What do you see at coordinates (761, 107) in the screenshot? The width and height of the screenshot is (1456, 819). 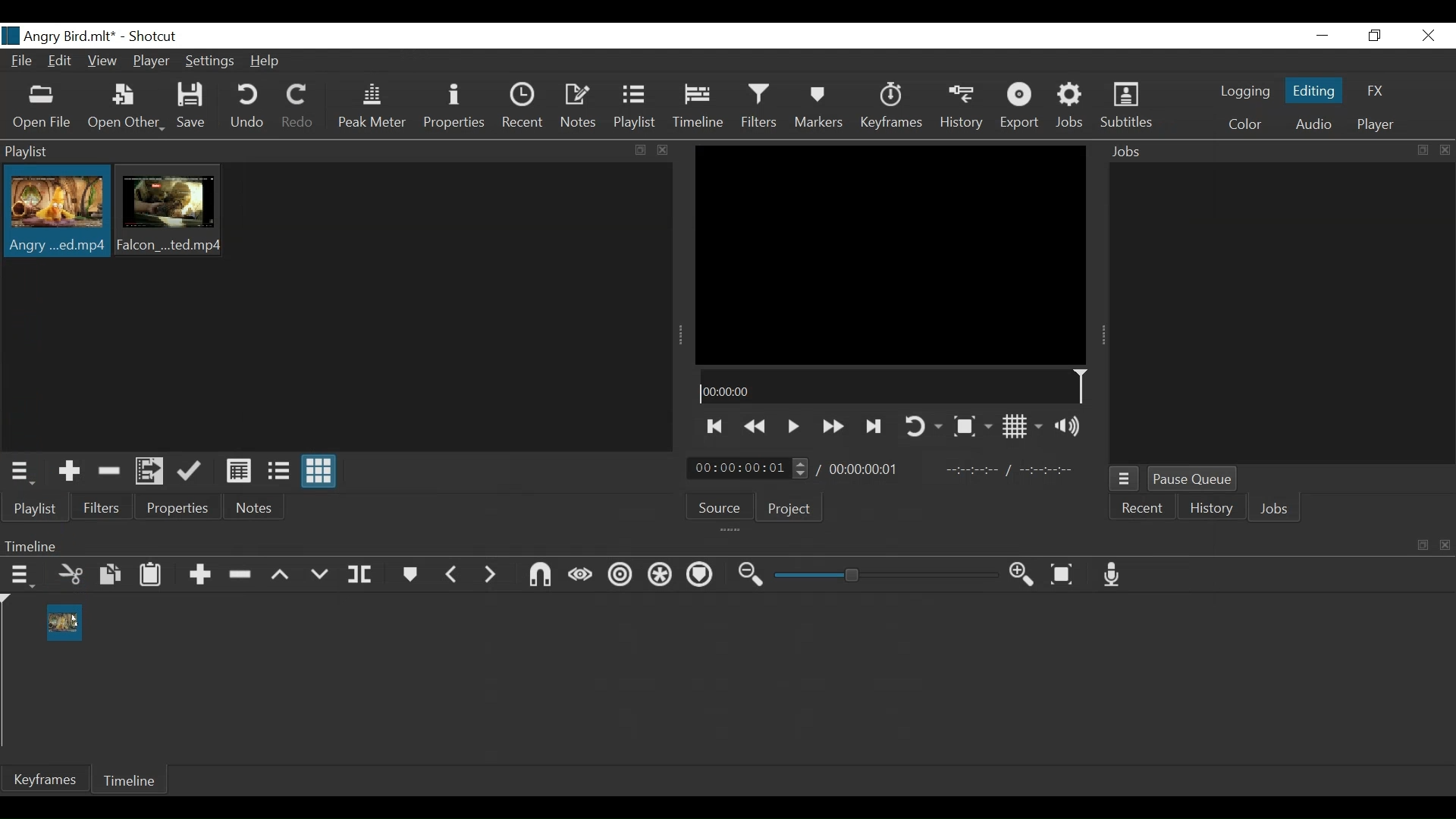 I see `Filters` at bounding box center [761, 107].